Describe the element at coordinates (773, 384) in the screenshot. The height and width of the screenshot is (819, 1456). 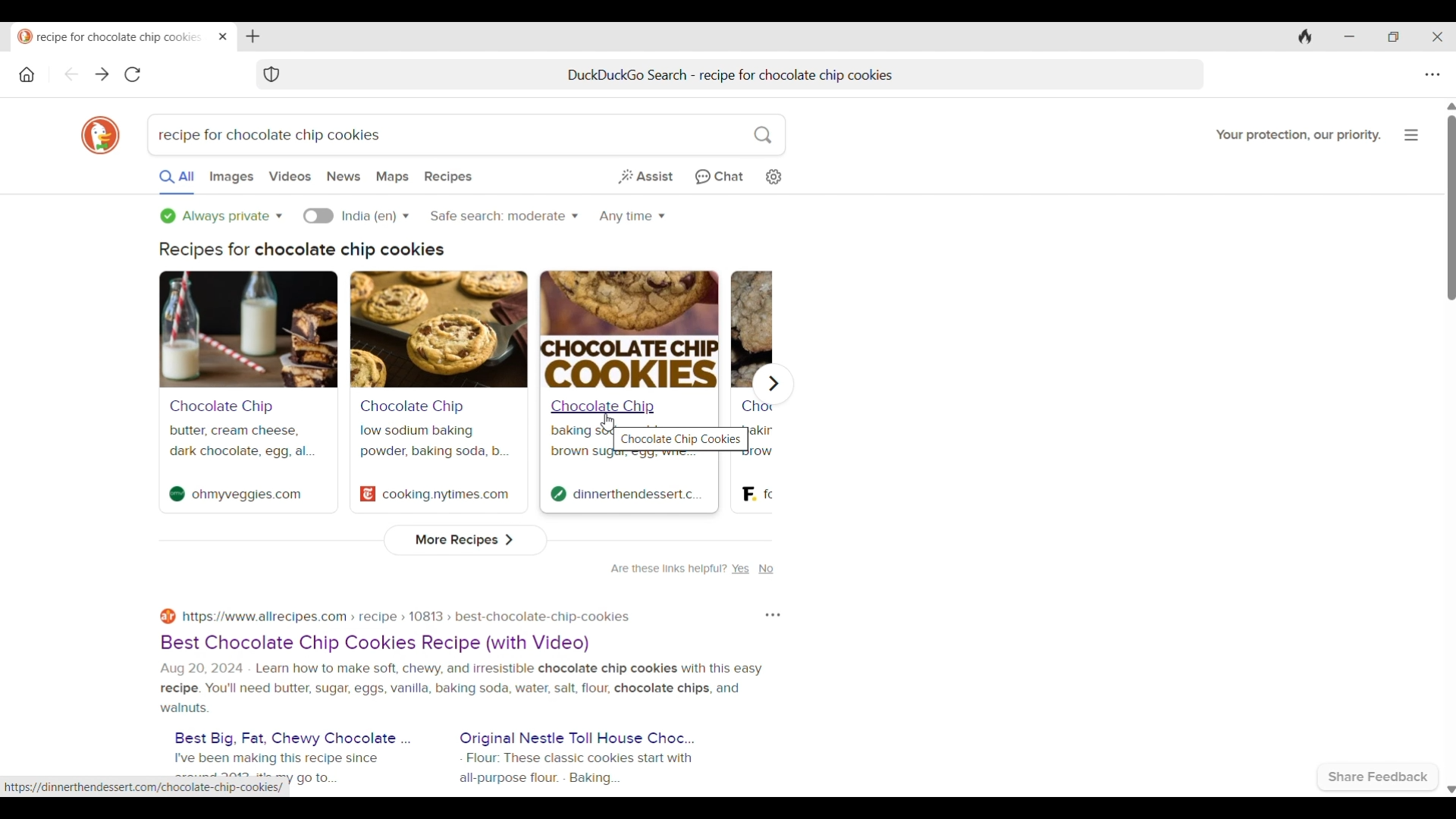
I see `Show next recipe` at that location.